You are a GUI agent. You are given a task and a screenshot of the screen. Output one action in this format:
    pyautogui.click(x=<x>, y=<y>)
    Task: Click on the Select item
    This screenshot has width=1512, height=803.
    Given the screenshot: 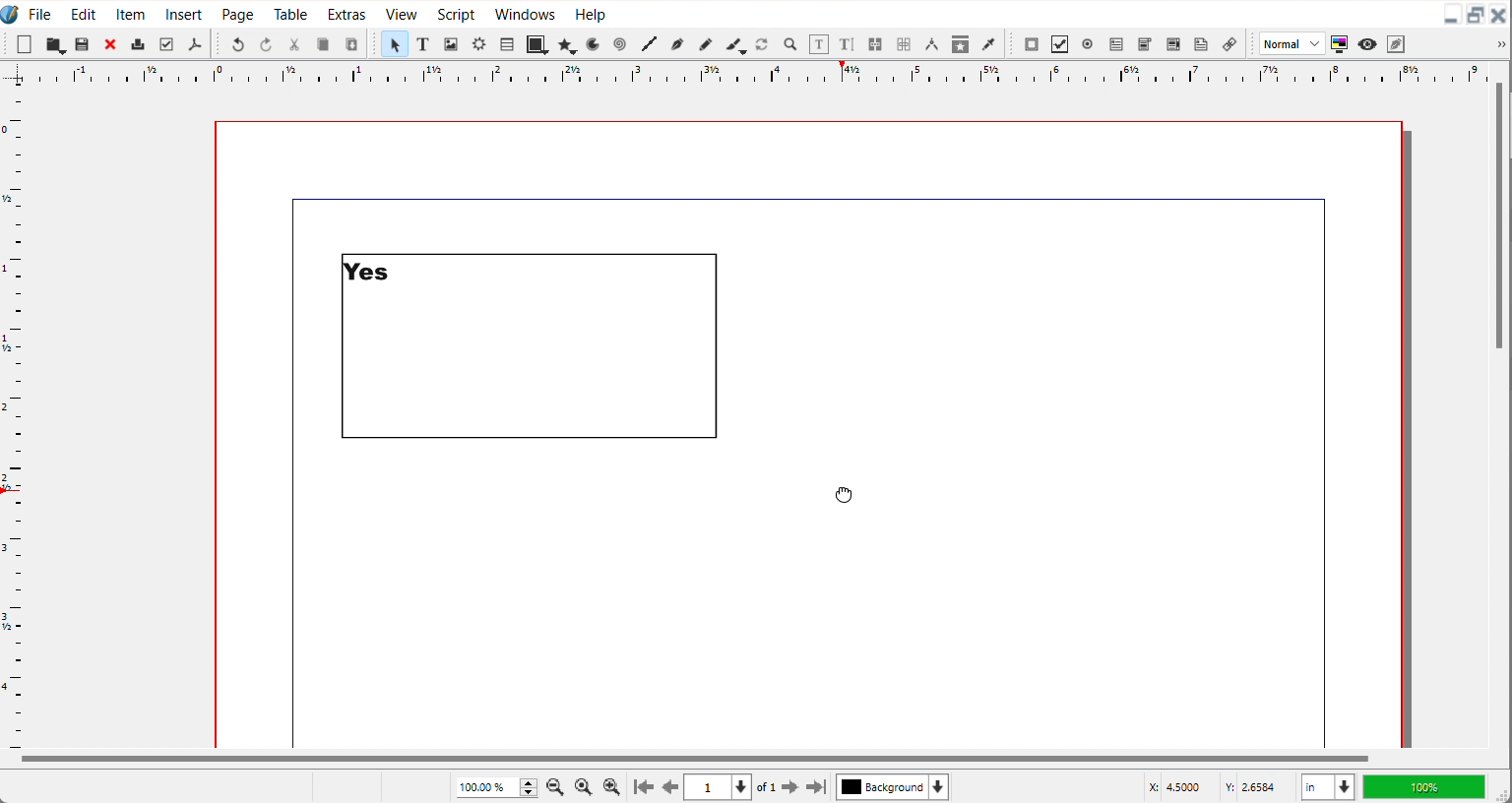 What is the action you would take?
    pyautogui.click(x=394, y=43)
    